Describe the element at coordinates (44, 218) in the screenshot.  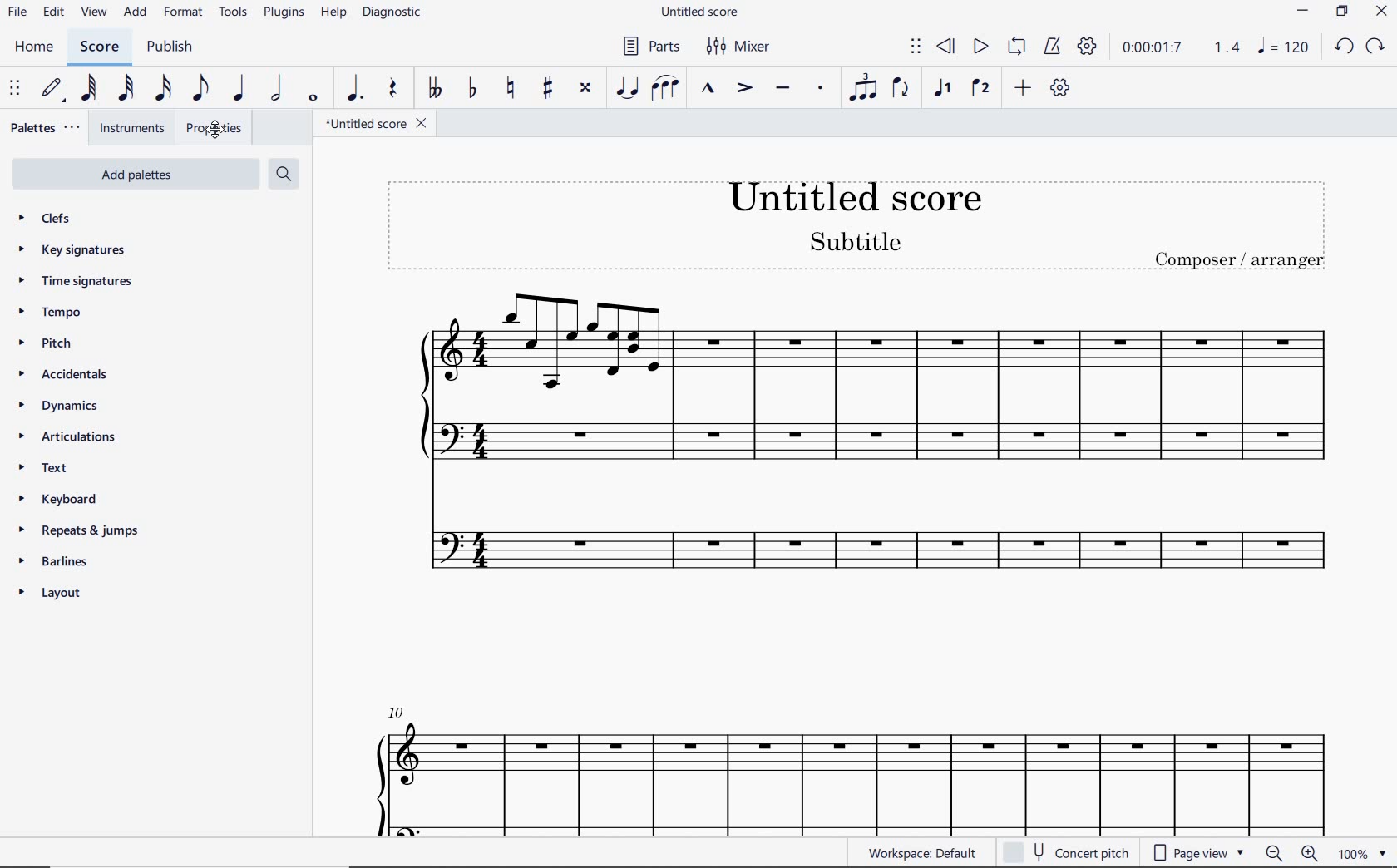
I see `clefs` at that location.